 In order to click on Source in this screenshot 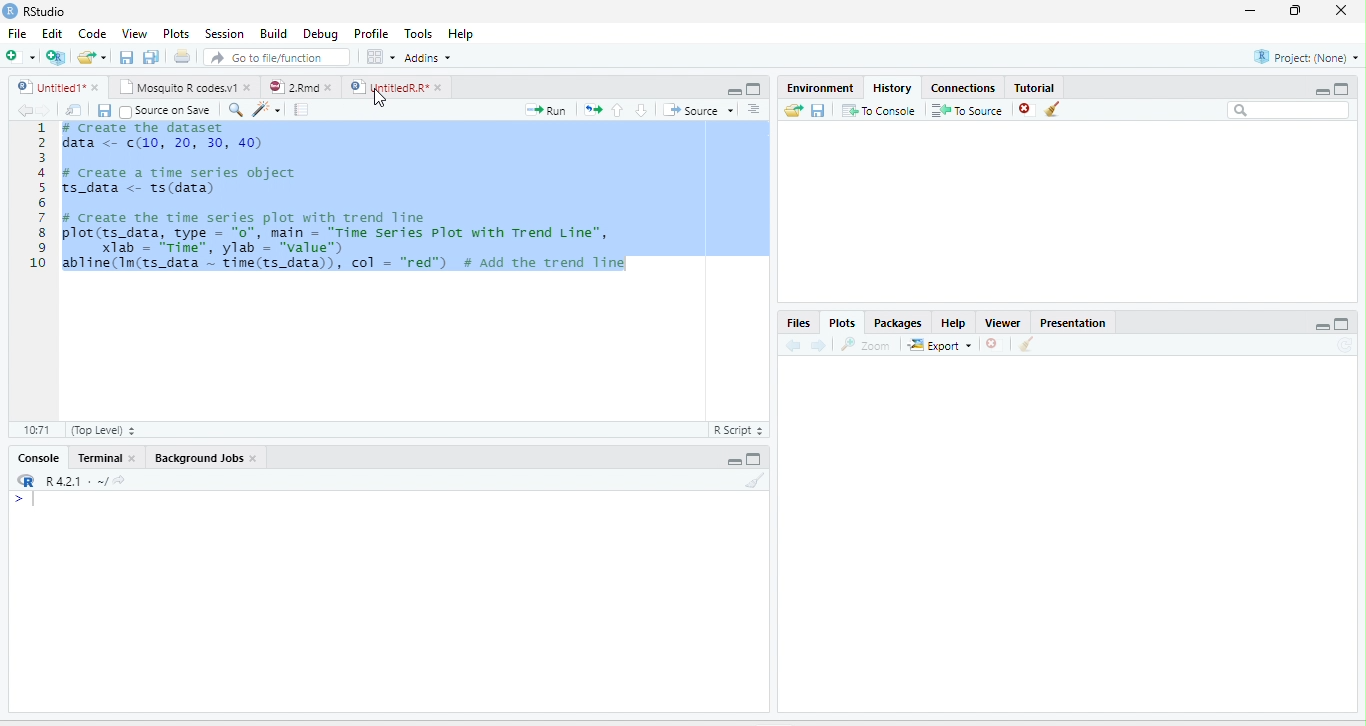, I will do `click(698, 110)`.